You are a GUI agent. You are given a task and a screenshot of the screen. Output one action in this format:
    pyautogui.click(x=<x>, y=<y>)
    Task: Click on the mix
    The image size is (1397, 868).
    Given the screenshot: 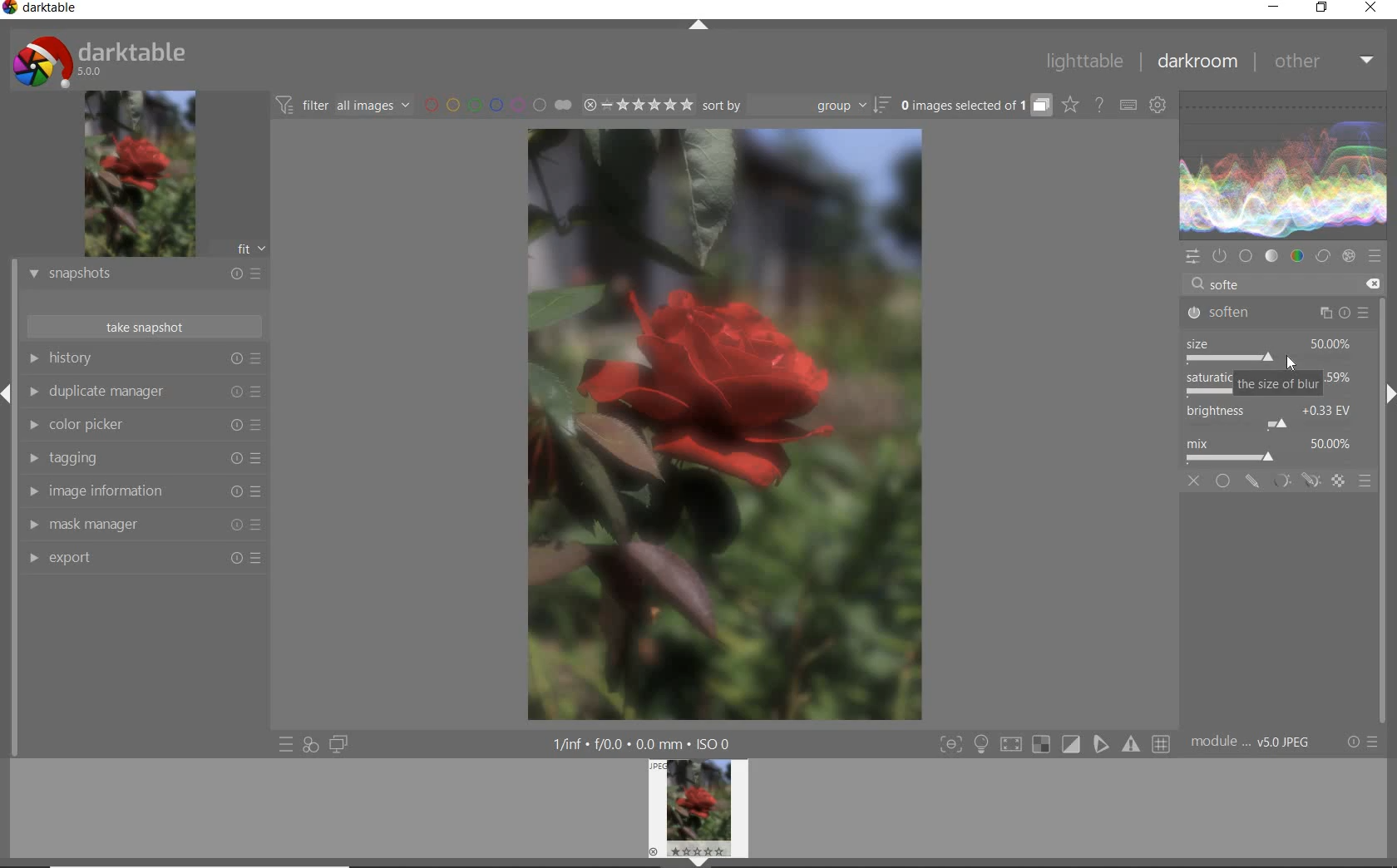 What is the action you would take?
    pyautogui.click(x=1273, y=451)
    